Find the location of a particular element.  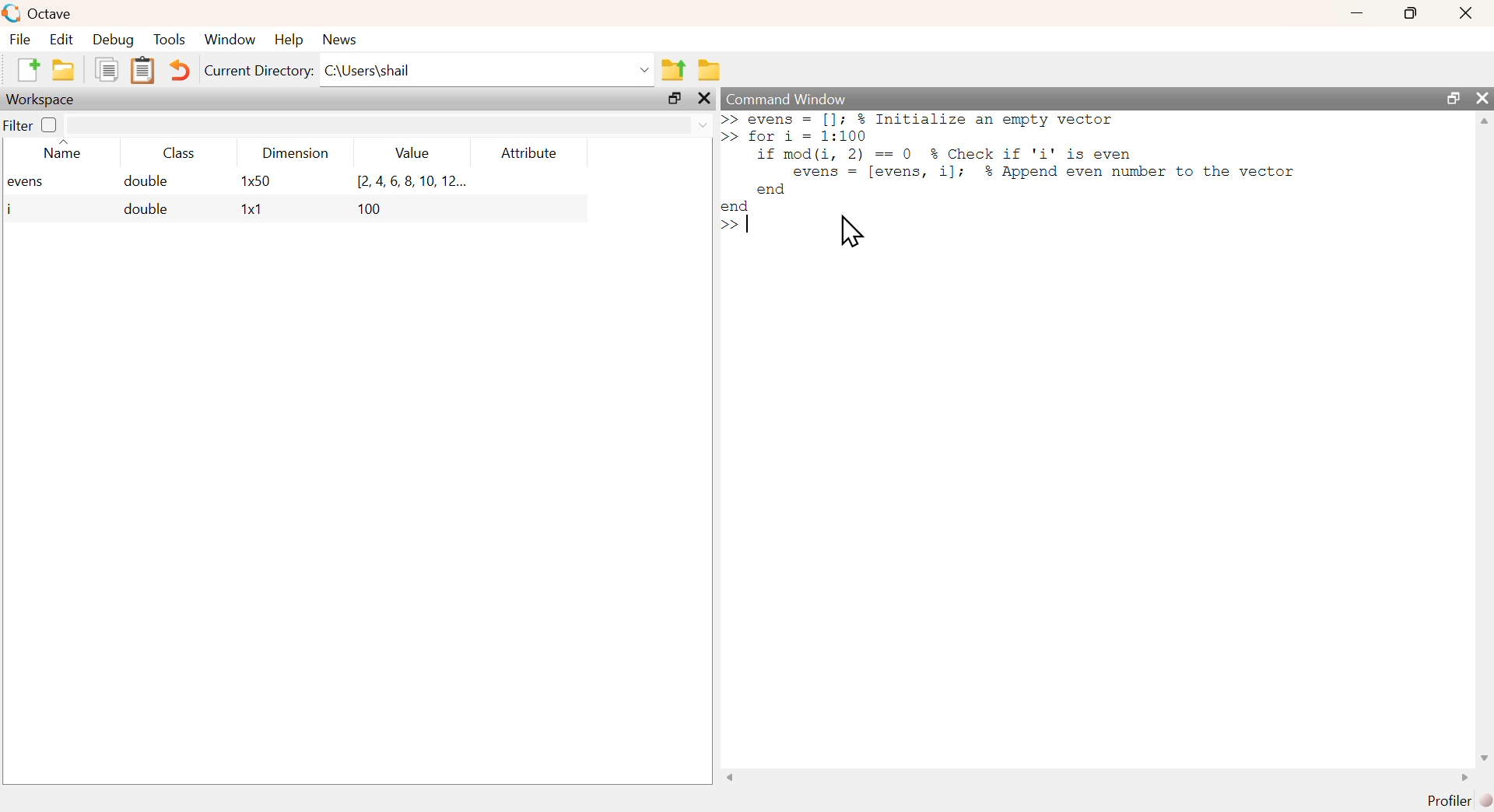

off is located at coordinates (50, 124).